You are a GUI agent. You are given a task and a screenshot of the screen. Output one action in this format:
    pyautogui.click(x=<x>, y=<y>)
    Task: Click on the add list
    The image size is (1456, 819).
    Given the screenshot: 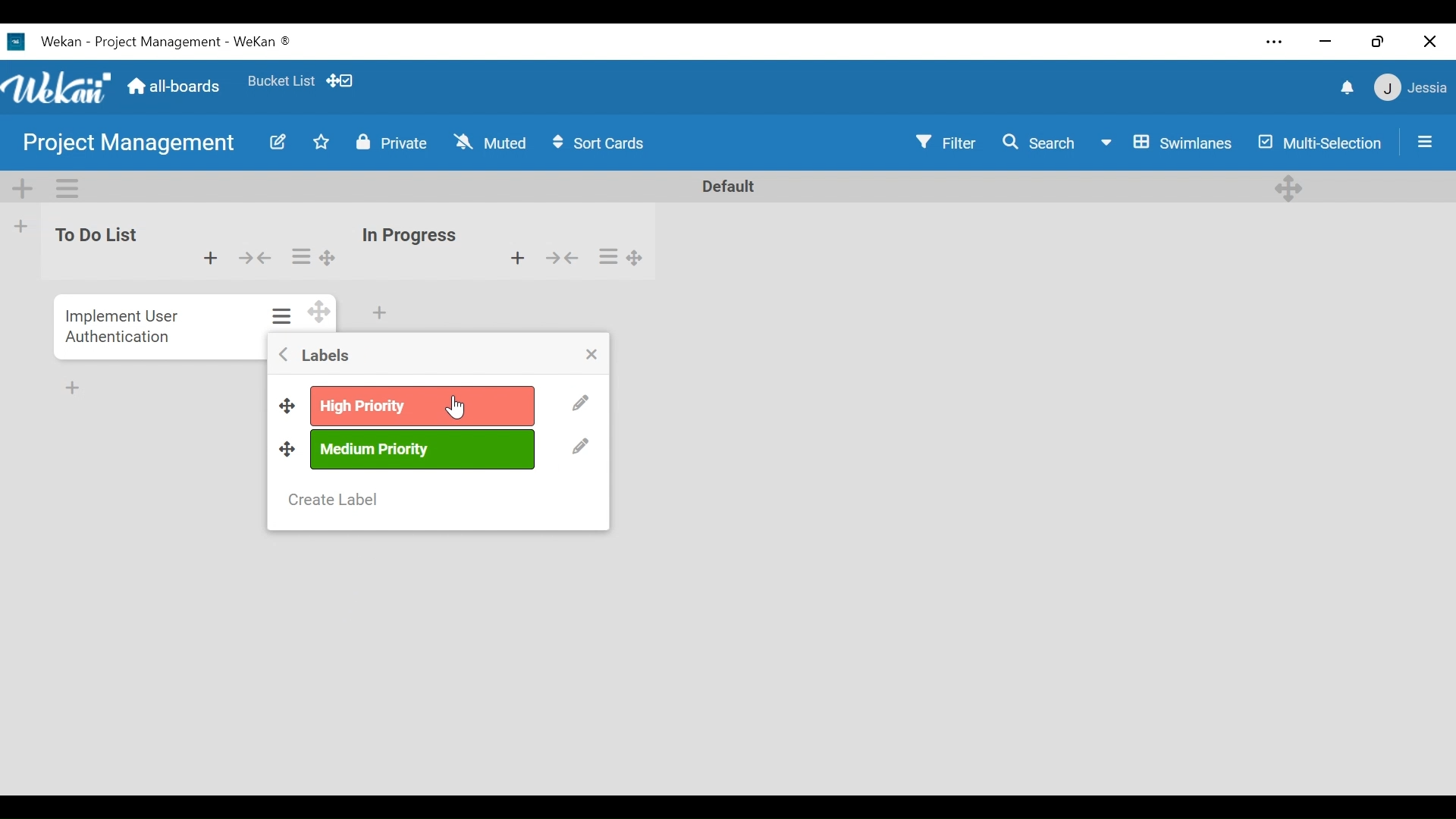 What is the action you would take?
    pyautogui.click(x=21, y=229)
    